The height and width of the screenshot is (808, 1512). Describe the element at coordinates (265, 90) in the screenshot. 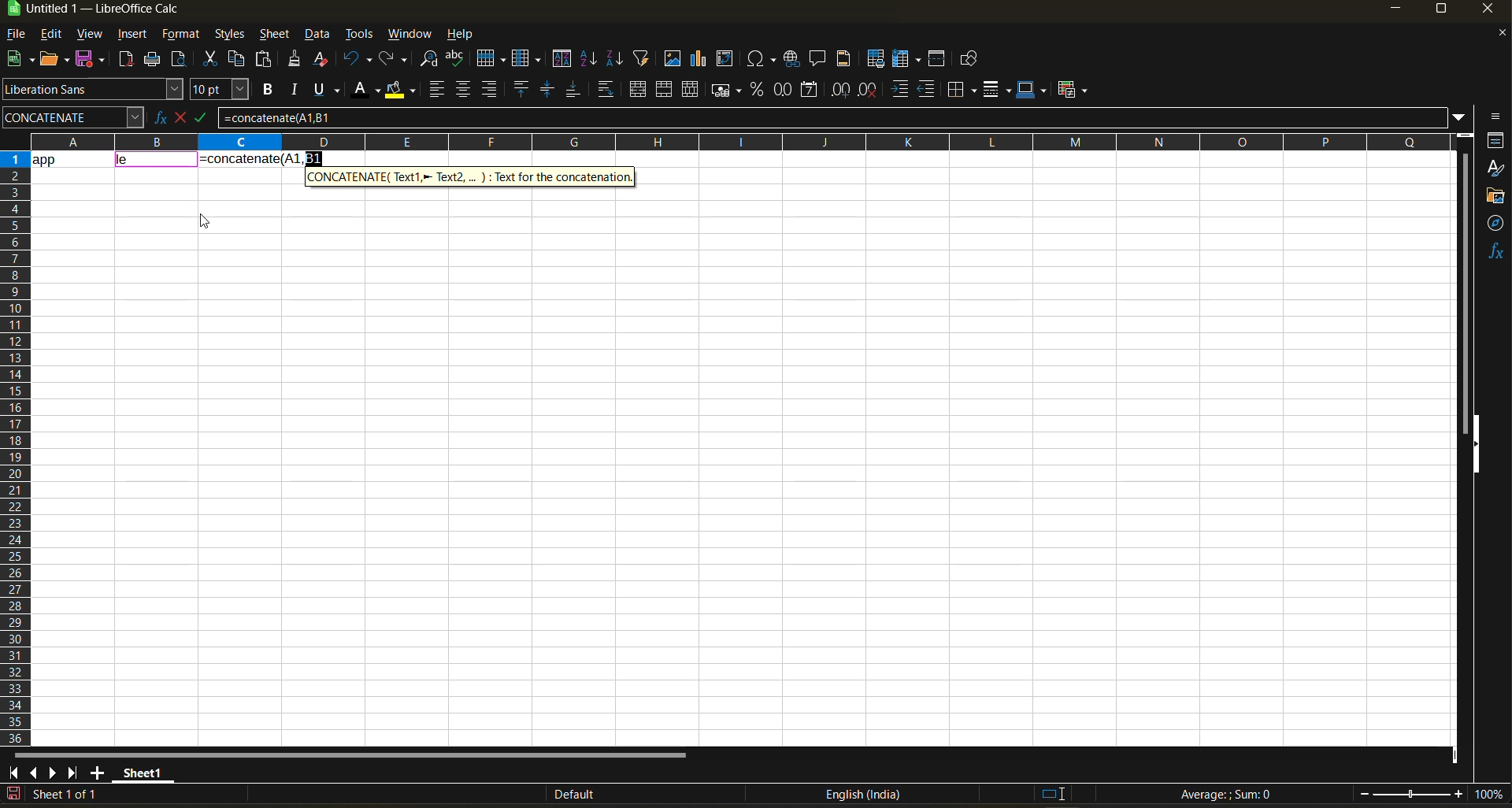

I see `bold` at that location.